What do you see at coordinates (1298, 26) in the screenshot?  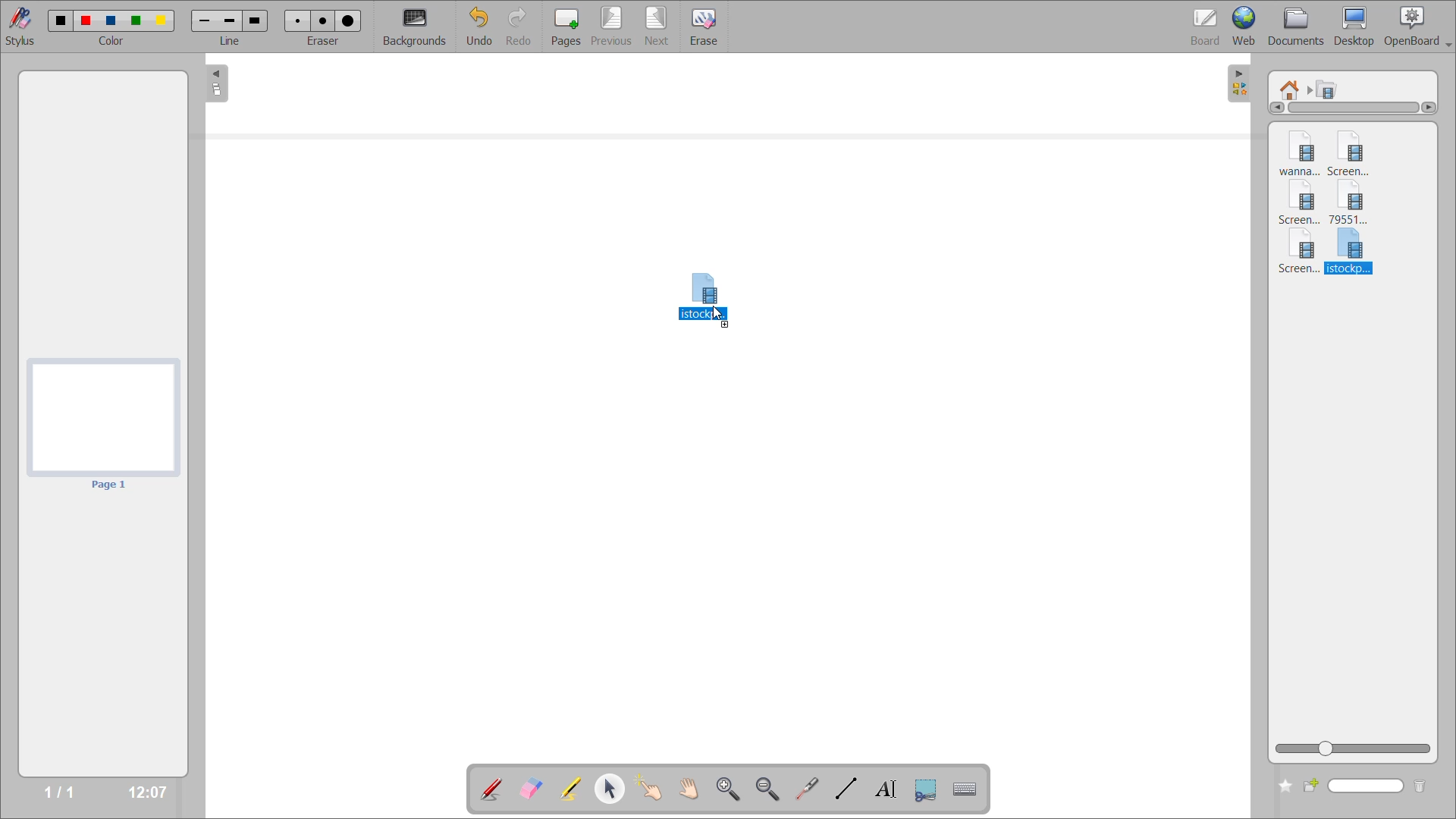 I see `documents` at bounding box center [1298, 26].